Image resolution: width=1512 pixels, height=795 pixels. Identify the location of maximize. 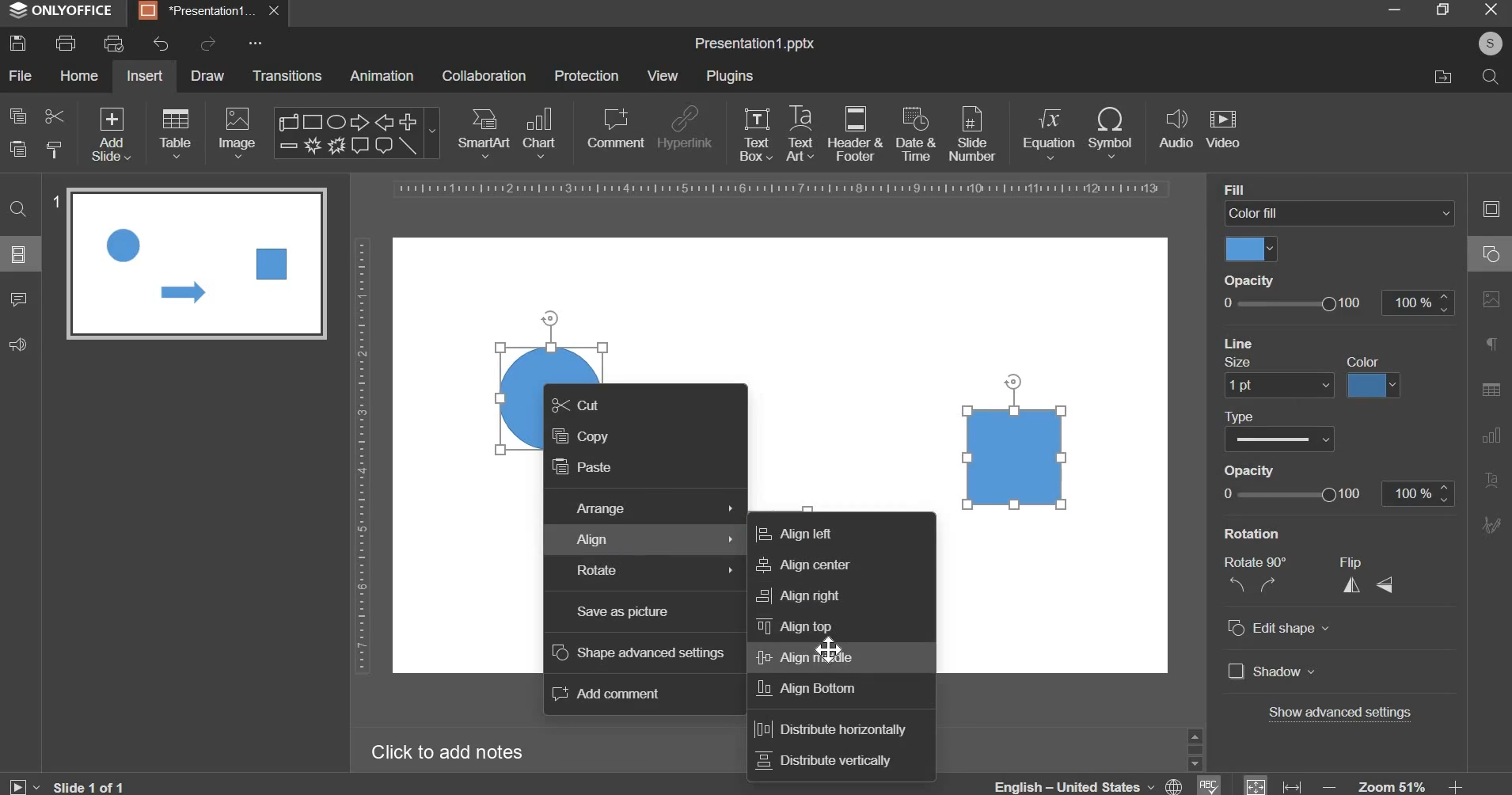
(1442, 9).